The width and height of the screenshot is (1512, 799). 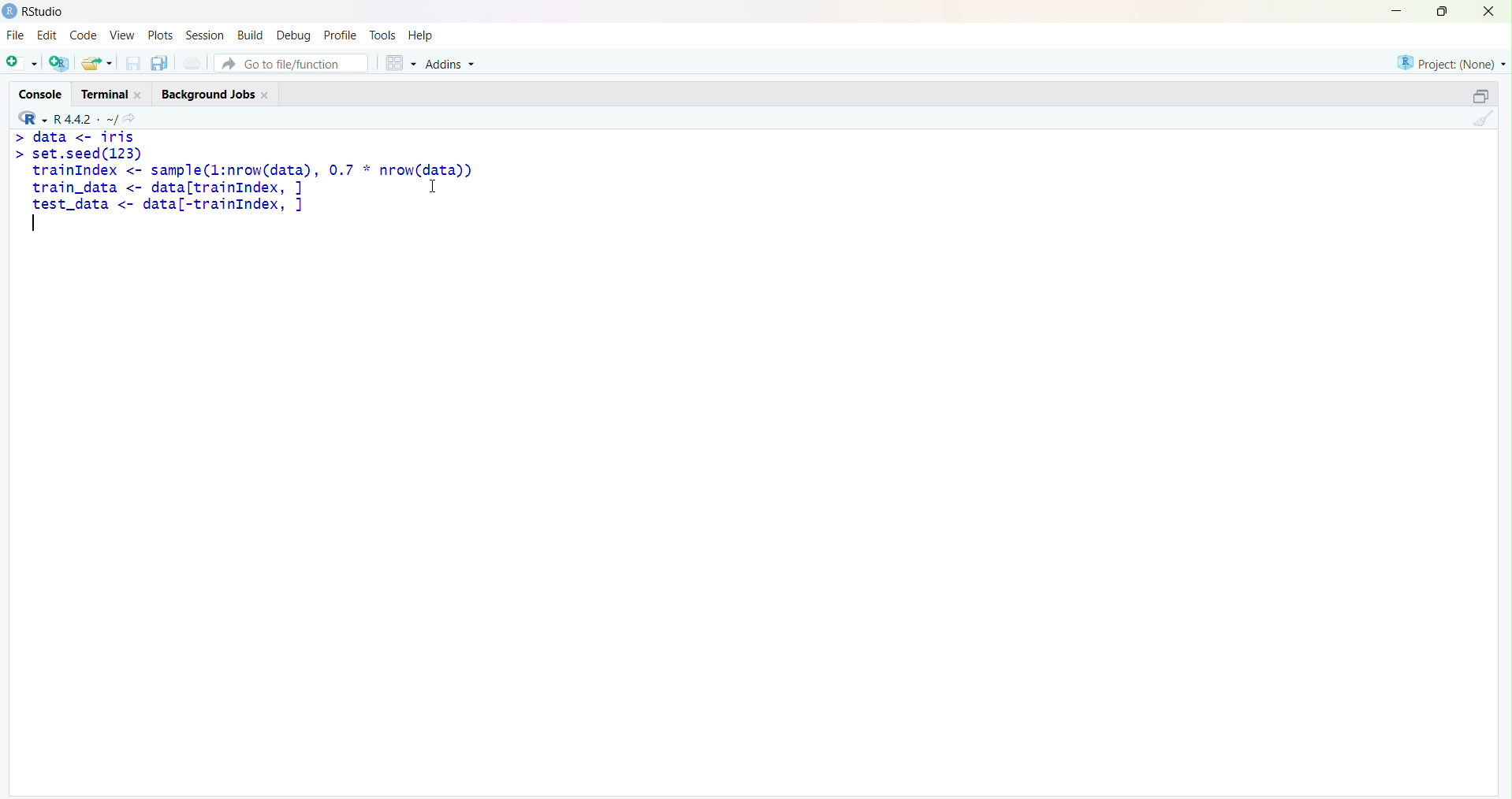 What do you see at coordinates (290, 61) in the screenshot?
I see `Go to file/function` at bounding box center [290, 61].